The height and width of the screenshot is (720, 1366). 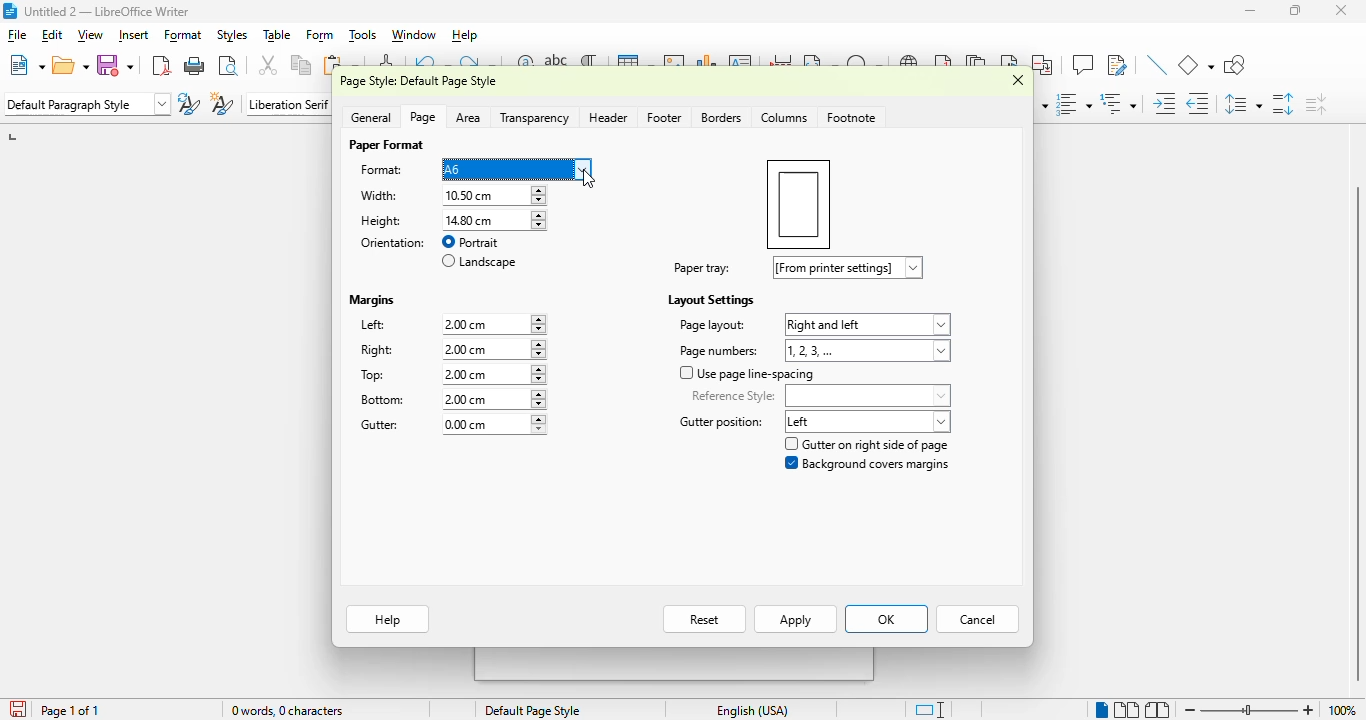 What do you see at coordinates (1019, 80) in the screenshot?
I see `close` at bounding box center [1019, 80].